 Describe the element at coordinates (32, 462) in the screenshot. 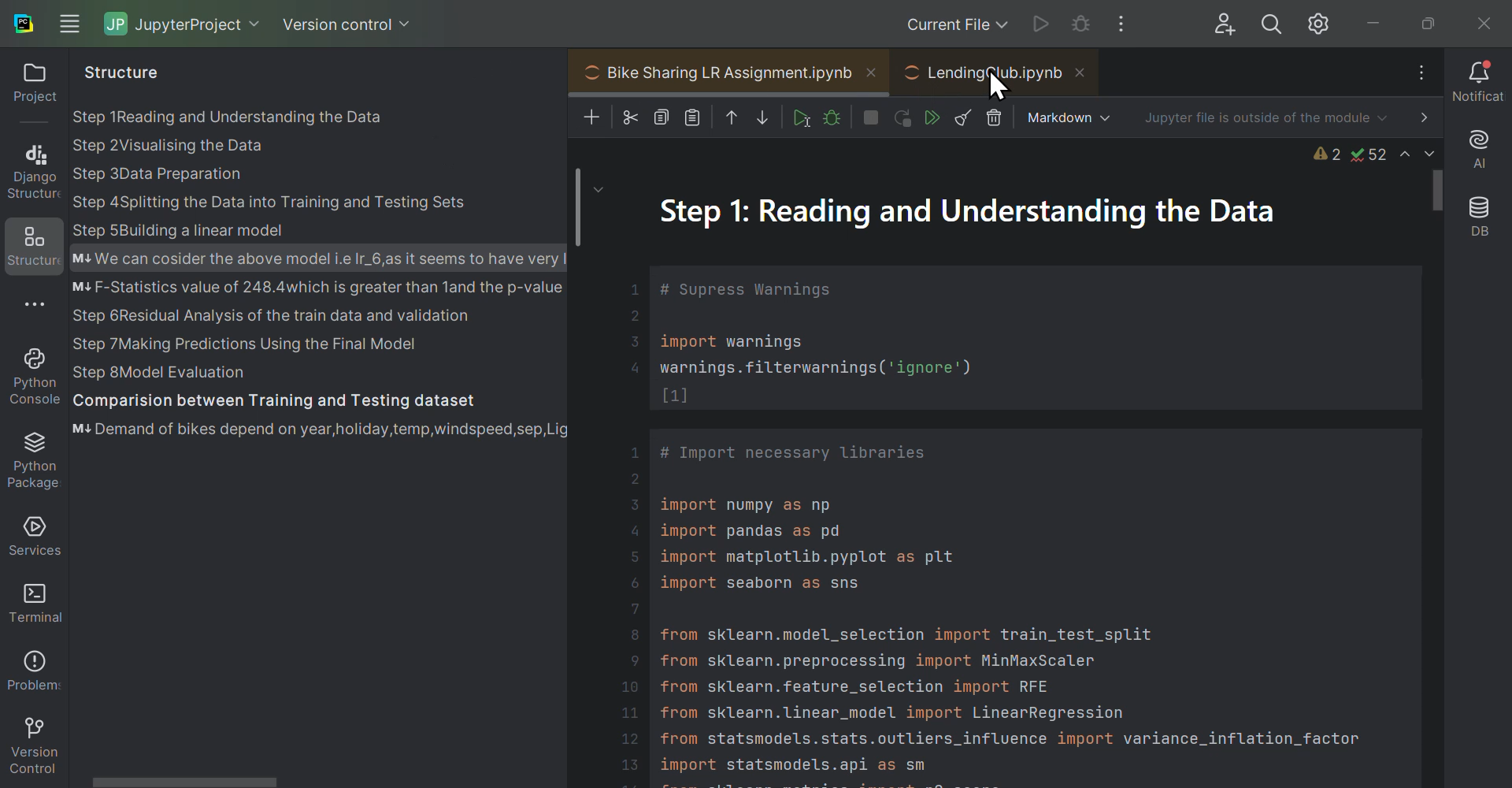

I see `Sun packages` at that location.